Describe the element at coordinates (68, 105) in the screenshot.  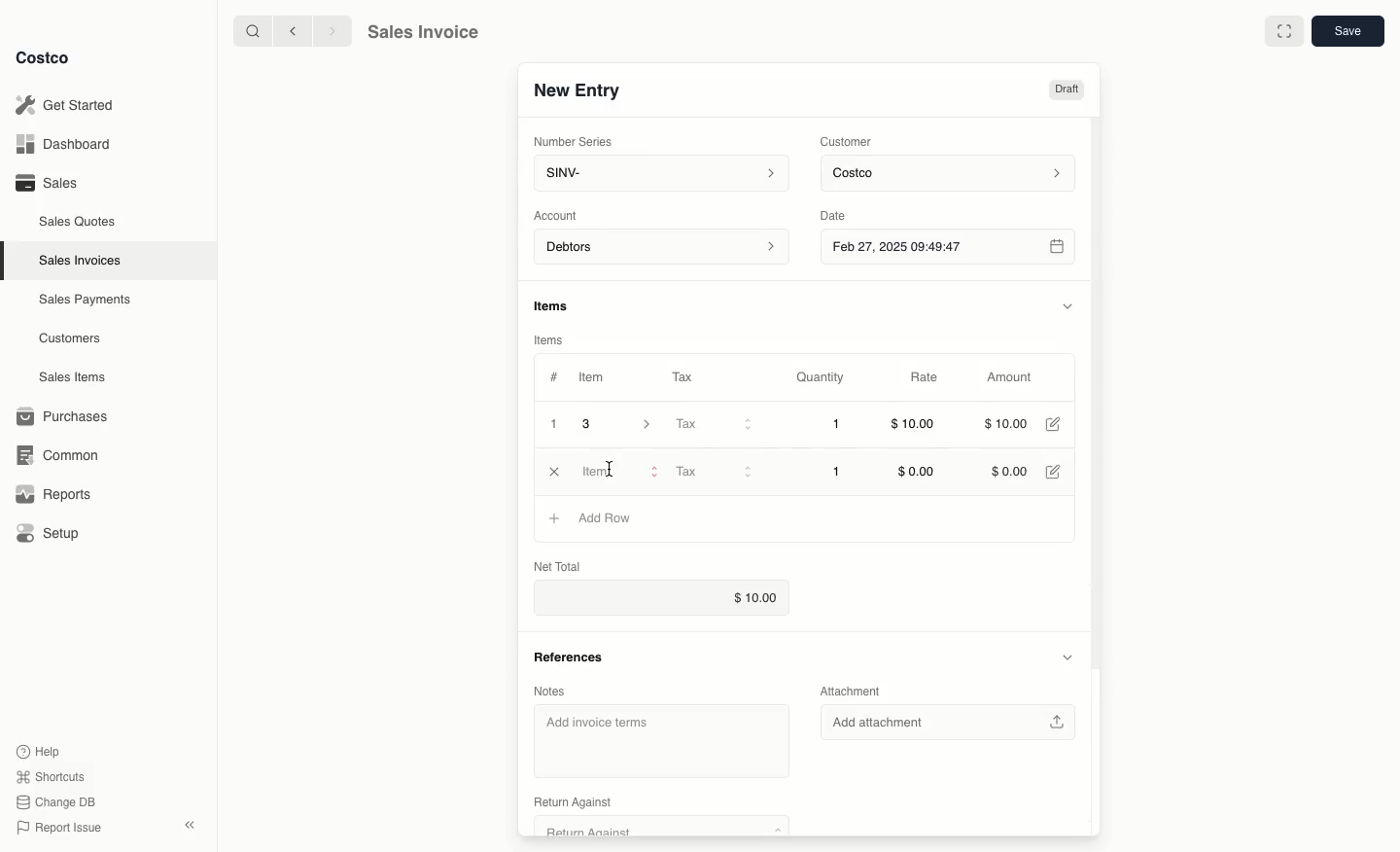
I see `Get Started` at that location.